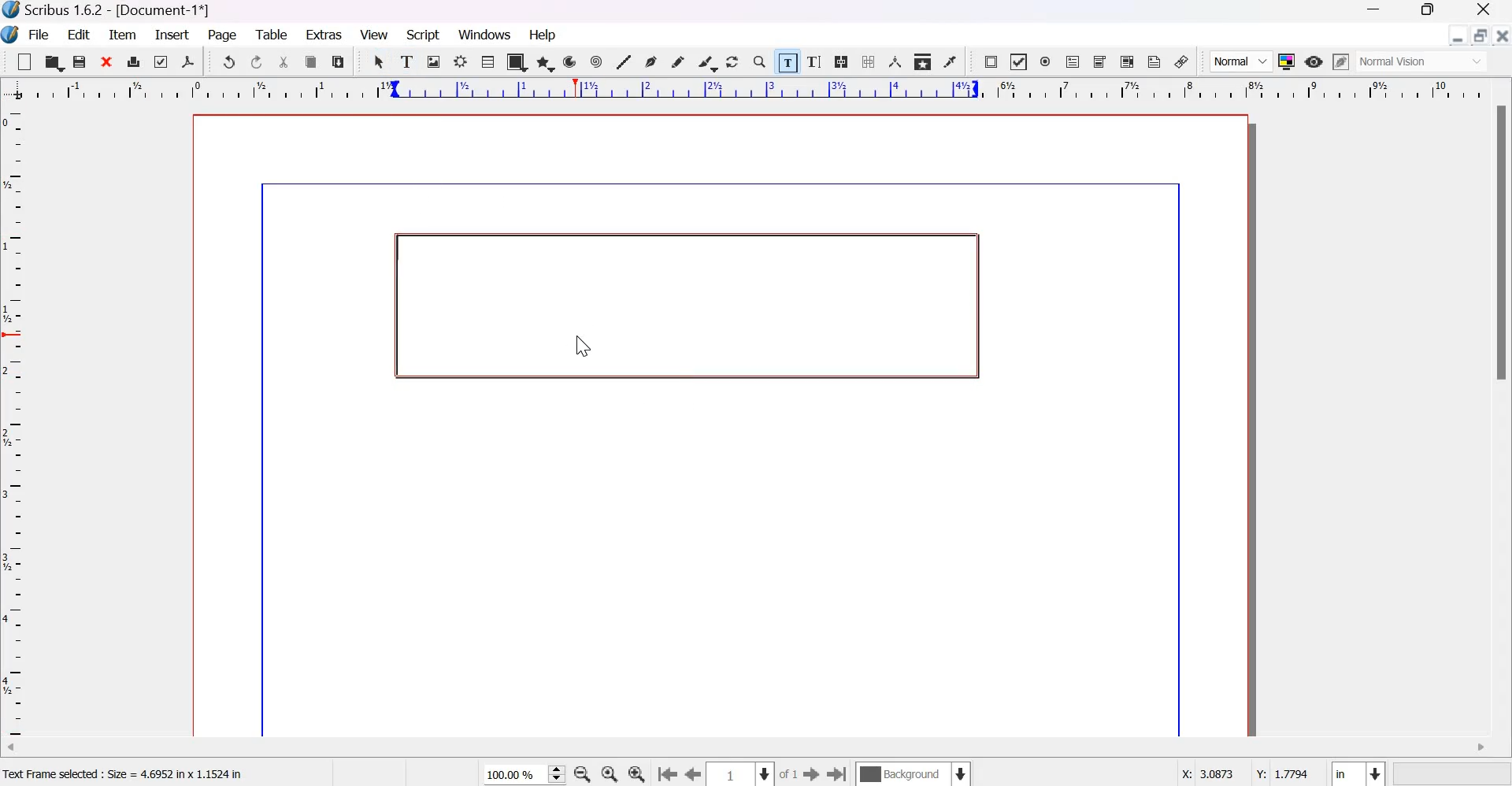  I want to click on close, so click(108, 61).